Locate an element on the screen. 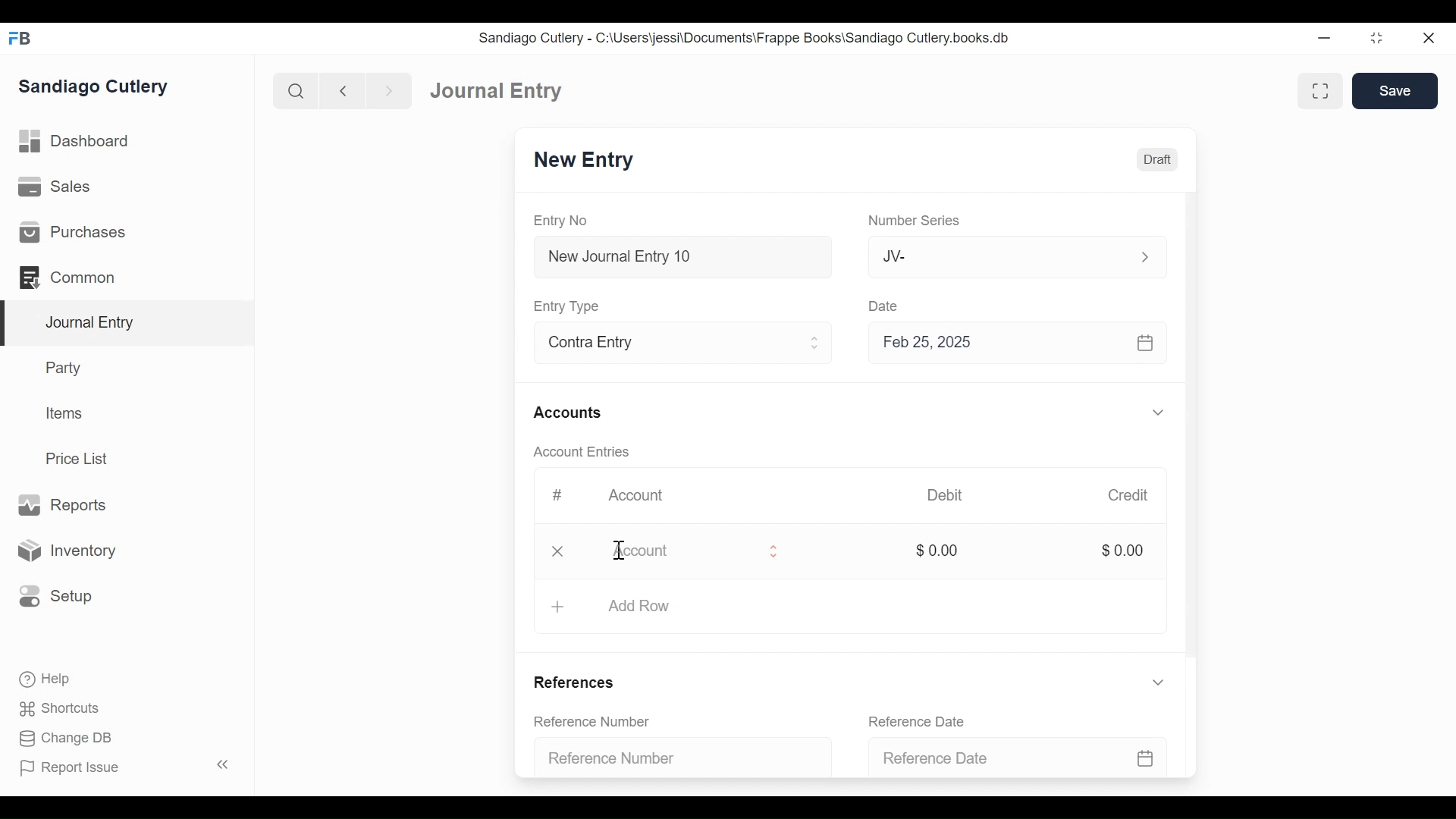 The height and width of the screenshot is (819, 1456). Close is located at coordinates (558, 551).